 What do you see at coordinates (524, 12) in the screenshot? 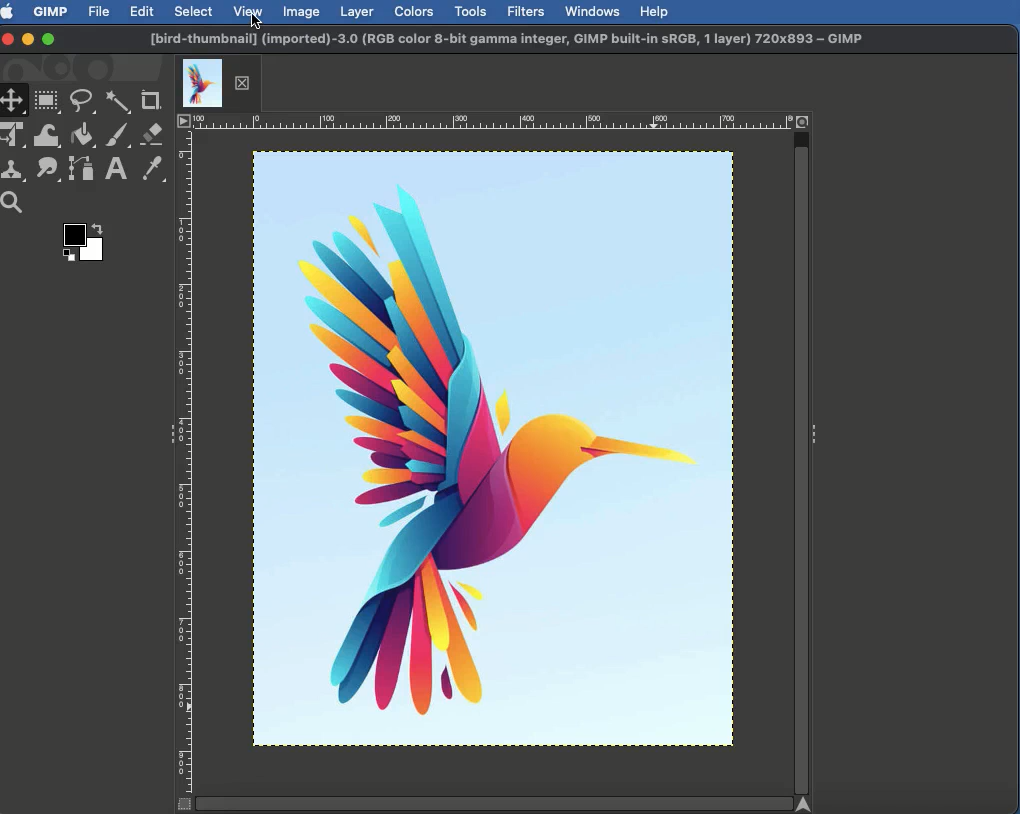
I see `Filters` at bounding box center [524, 12].